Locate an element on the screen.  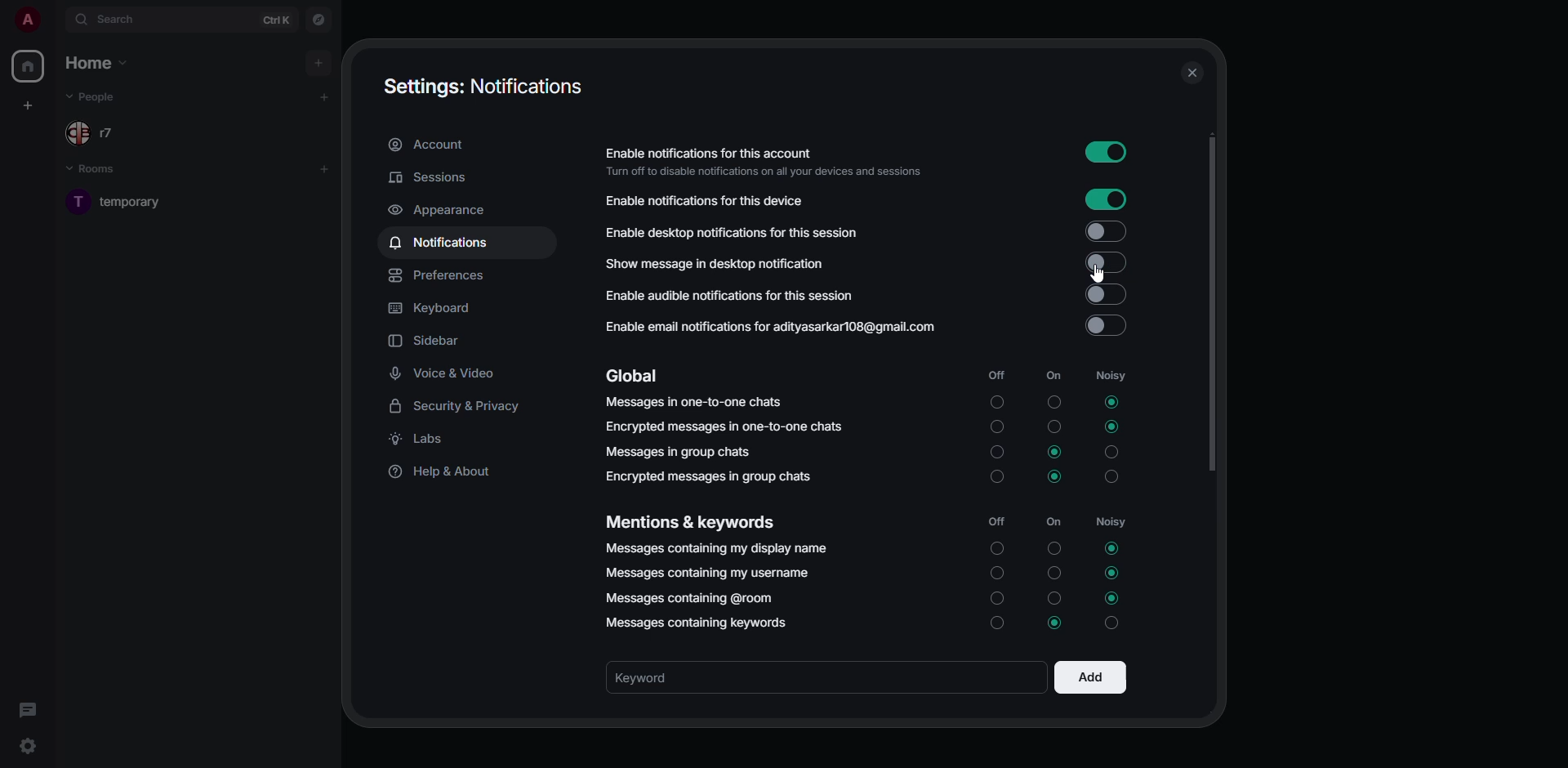
enable email notifications is located at coordinates (773, 329).